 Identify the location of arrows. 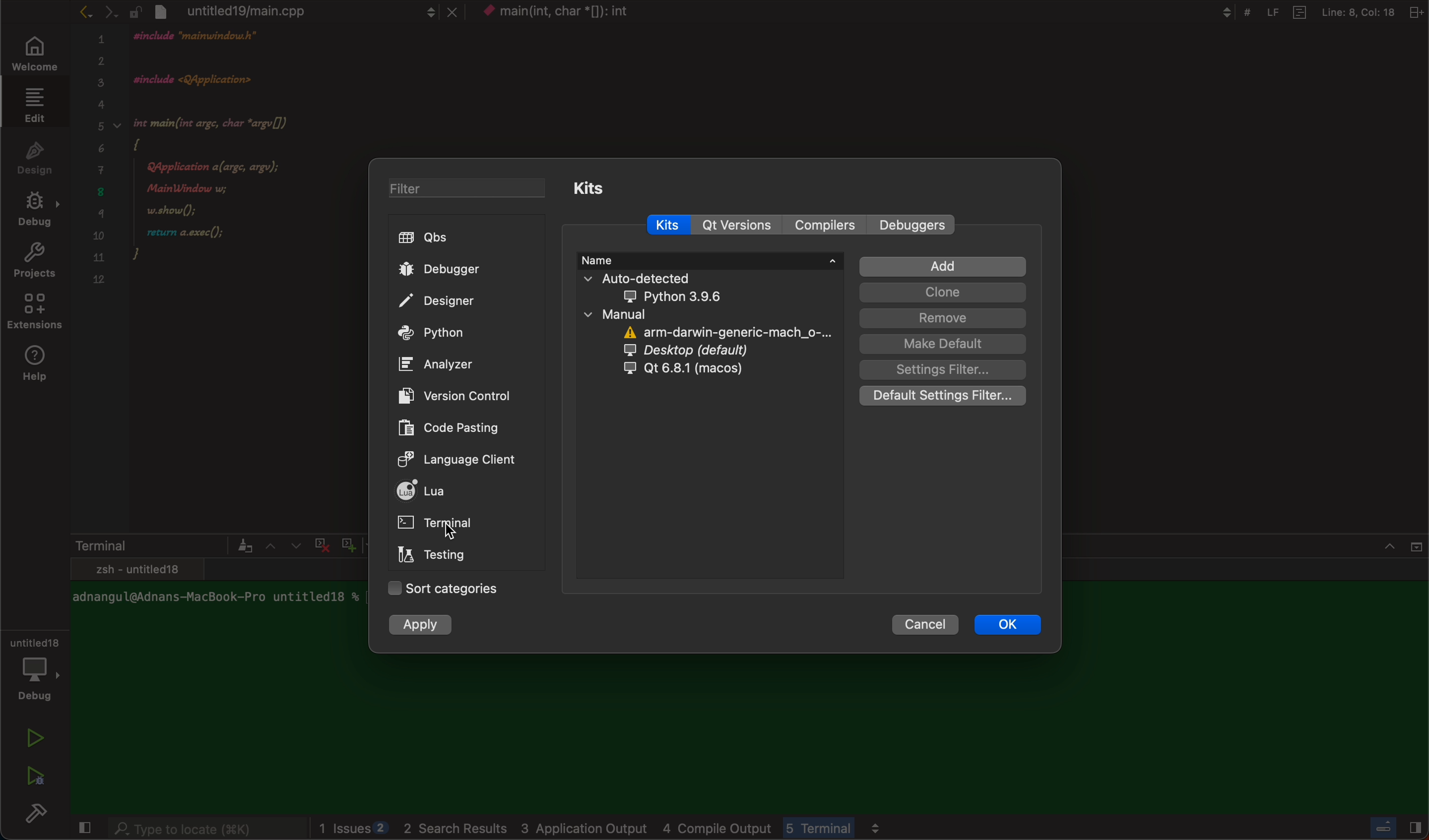
(97, 11).